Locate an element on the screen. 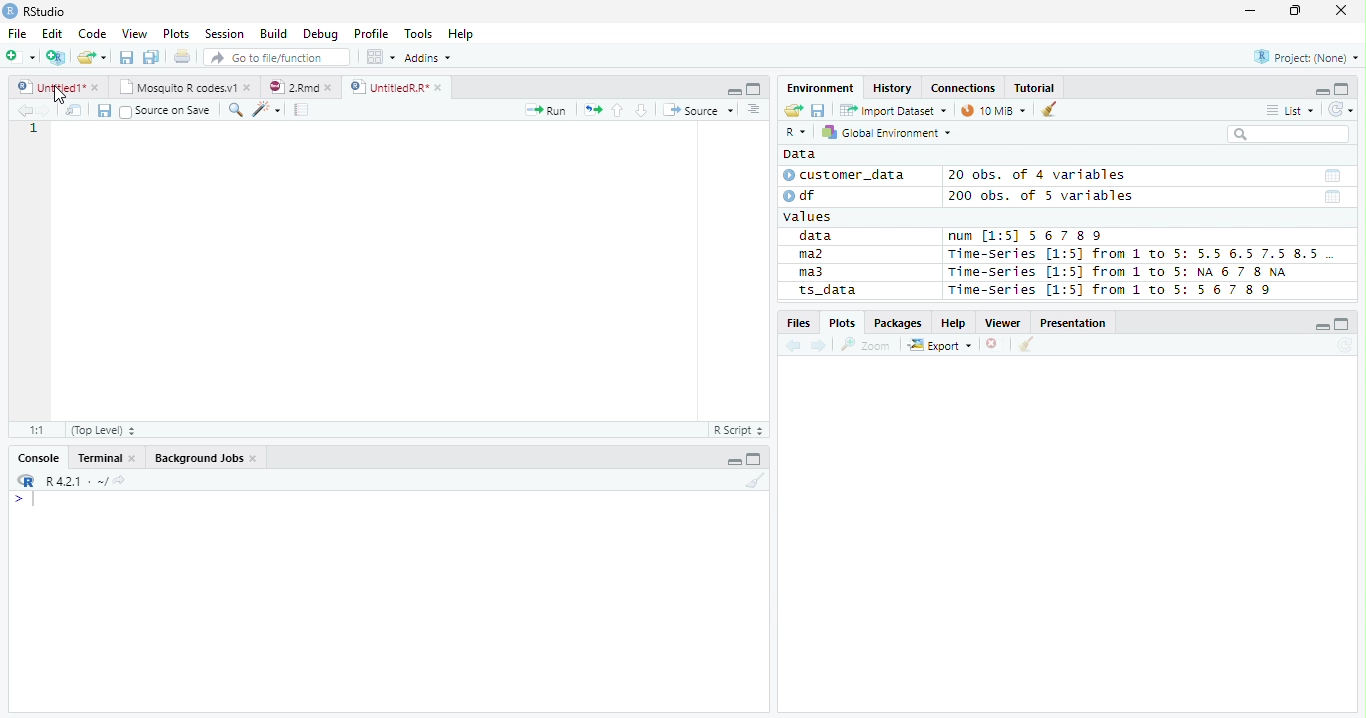  Help is located at coordinates (463, 34).